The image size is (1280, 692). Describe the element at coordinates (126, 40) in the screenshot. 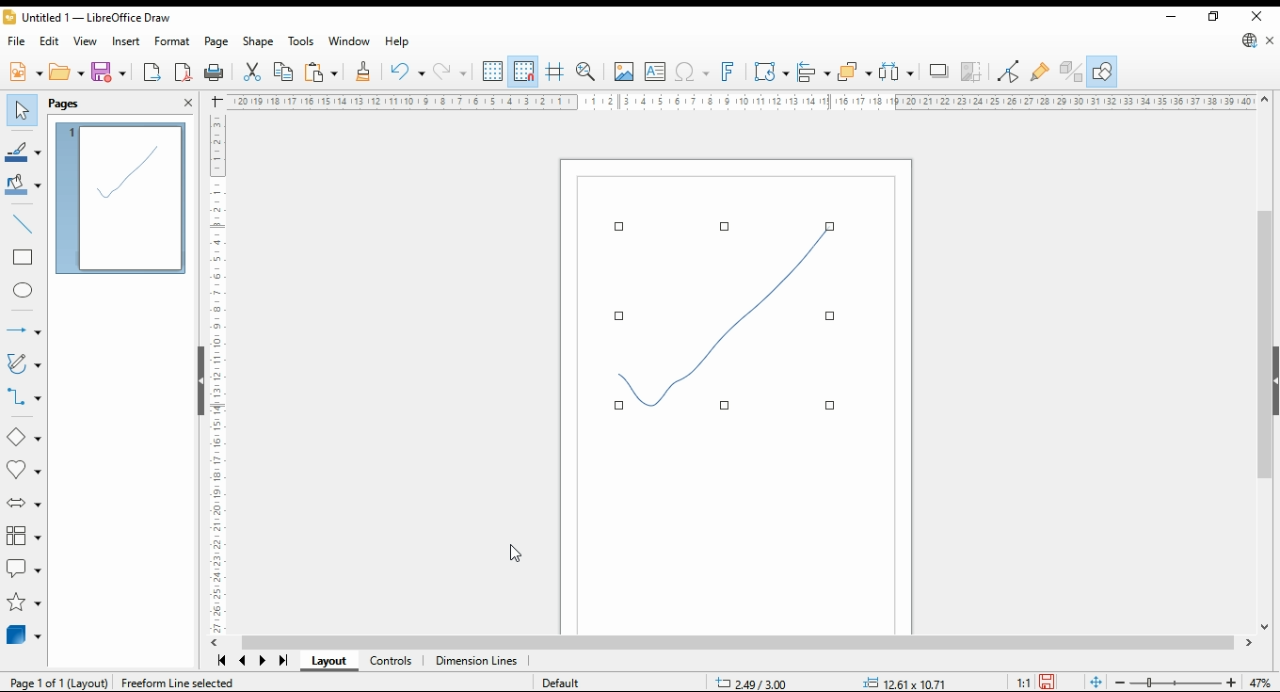

I see `insert` at that location.